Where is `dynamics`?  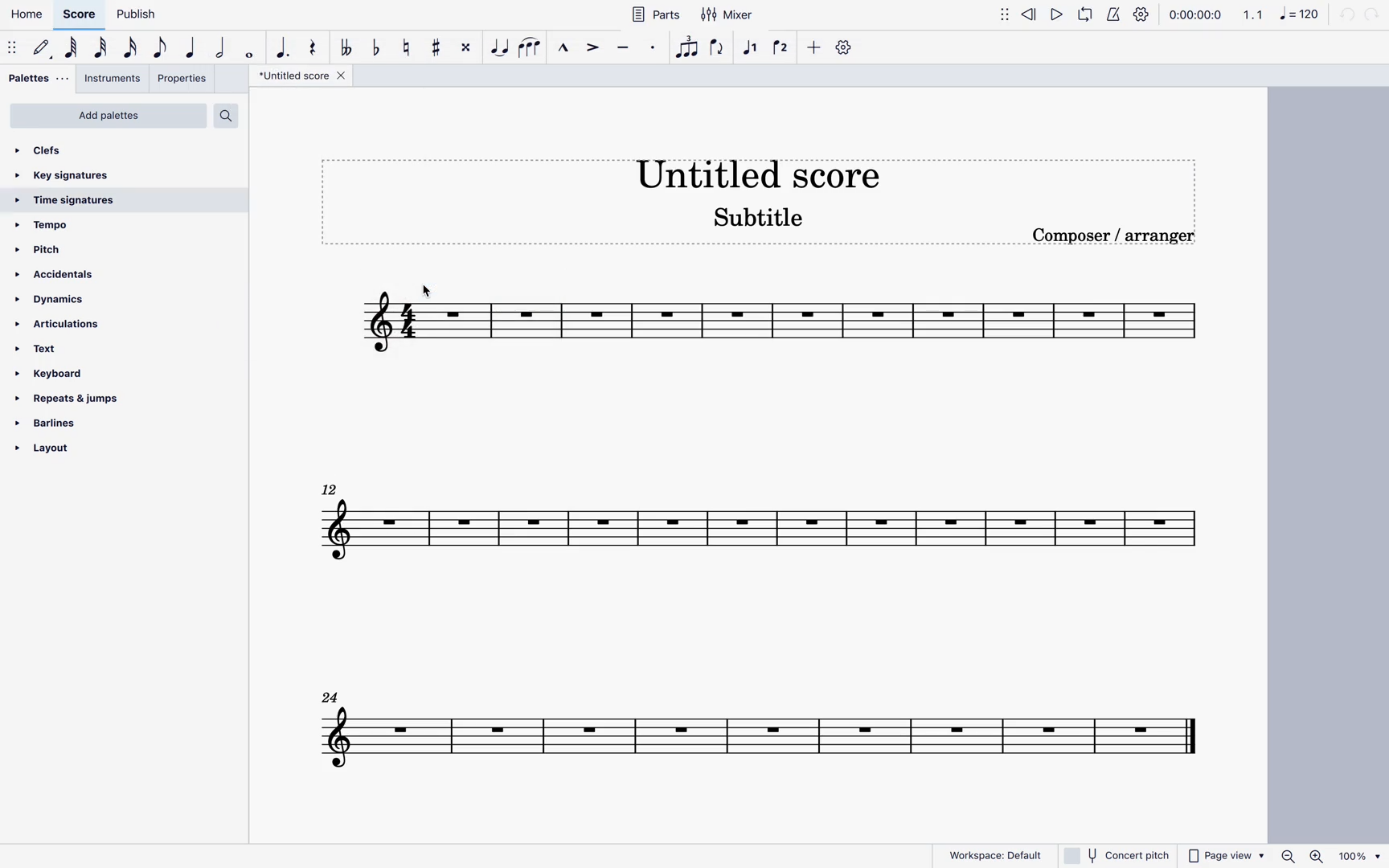
dynamics is located at coordinates (51, 297).